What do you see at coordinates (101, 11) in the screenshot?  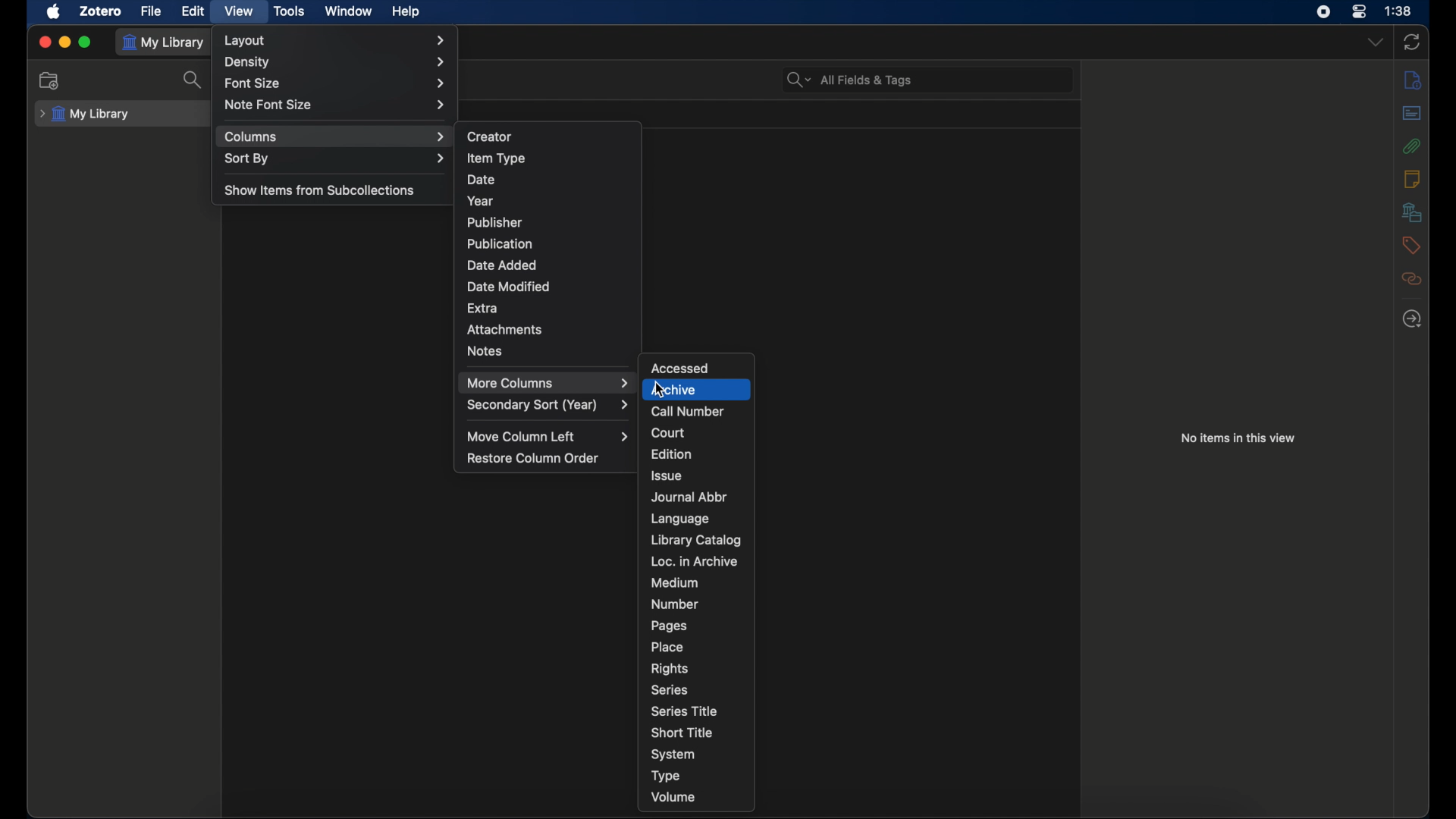 I see `zotero` at bounding box center [101, 11].